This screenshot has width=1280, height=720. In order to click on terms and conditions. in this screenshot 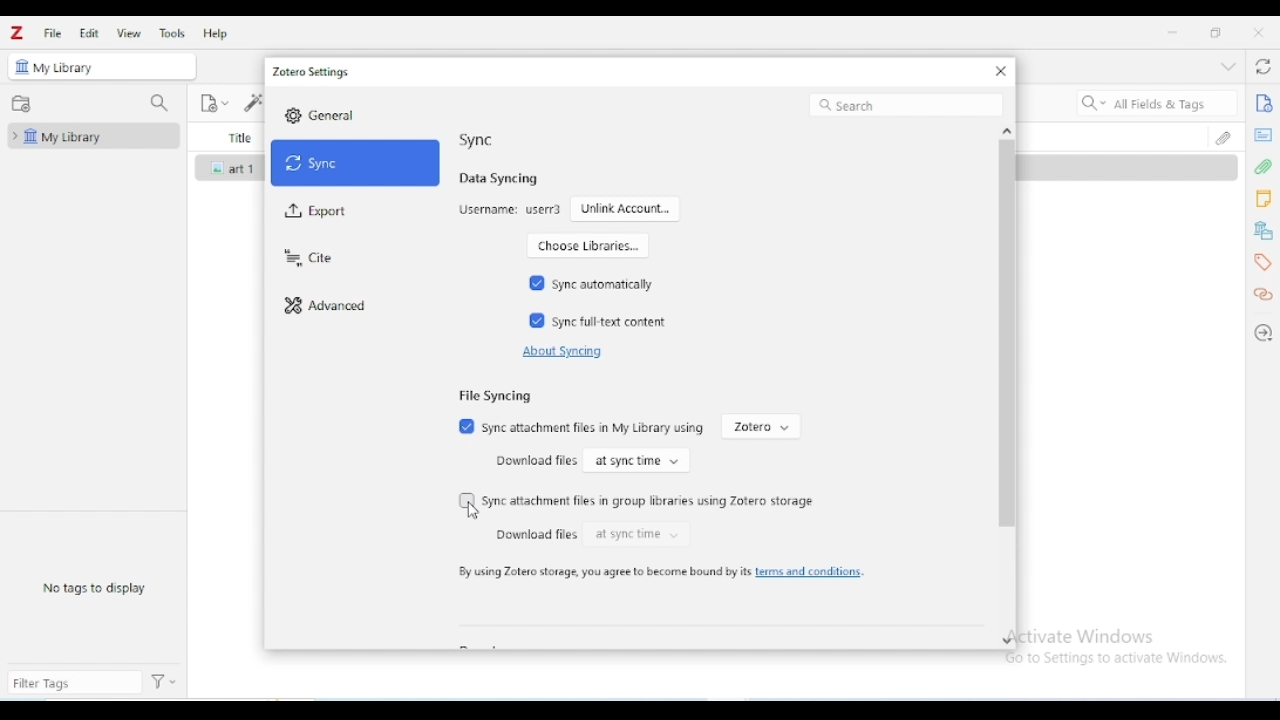, I will do `click(810, 572)`.